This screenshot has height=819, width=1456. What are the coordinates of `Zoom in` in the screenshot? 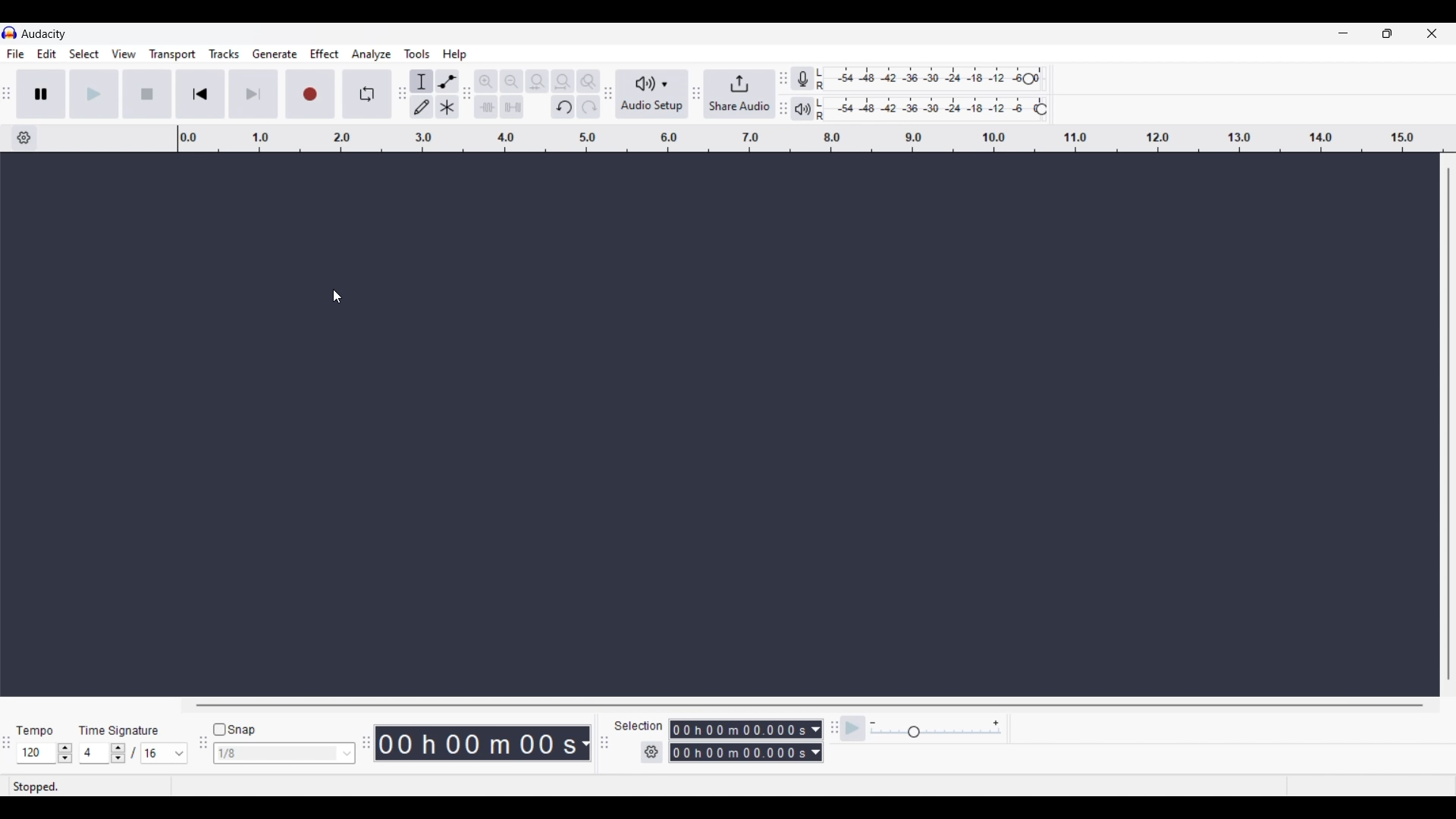 It's located at (485, 81).